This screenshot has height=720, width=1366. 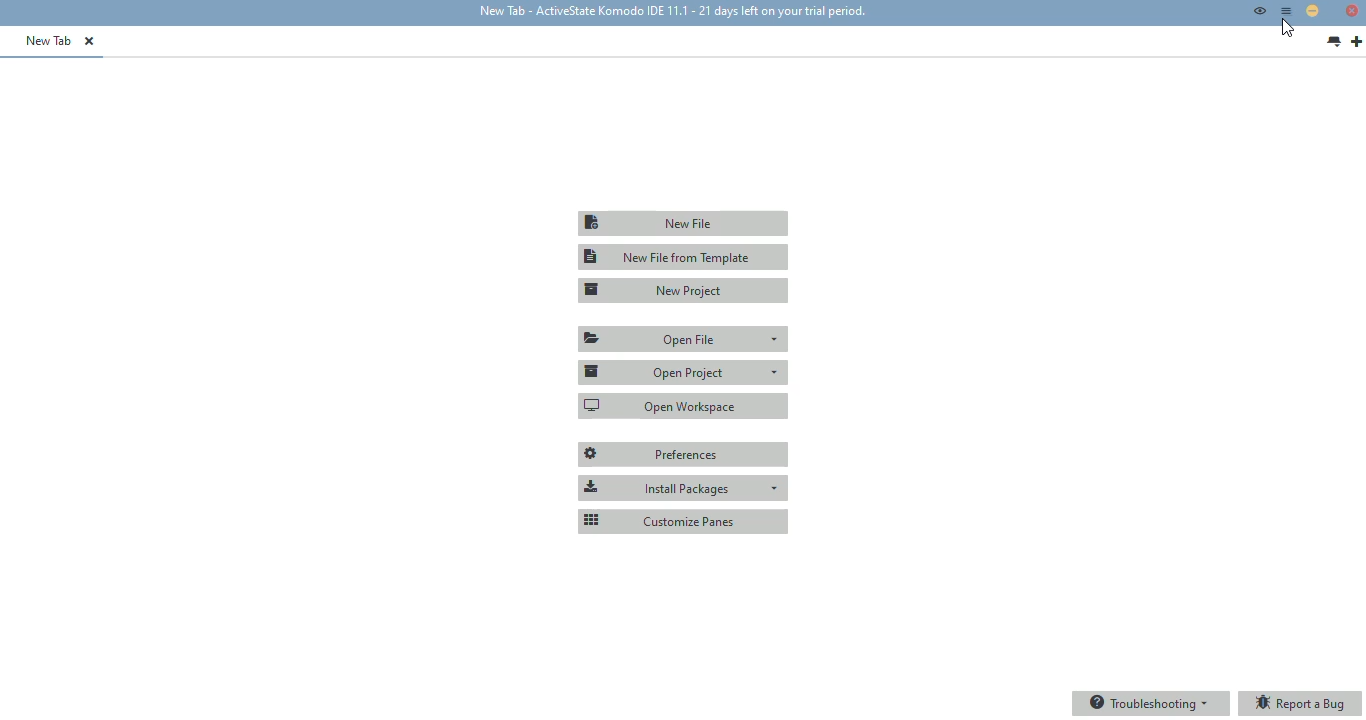 What do you see at coordinates (49, 40) in the screenshot?
I see `new tab` at bounding box center [49, 40].